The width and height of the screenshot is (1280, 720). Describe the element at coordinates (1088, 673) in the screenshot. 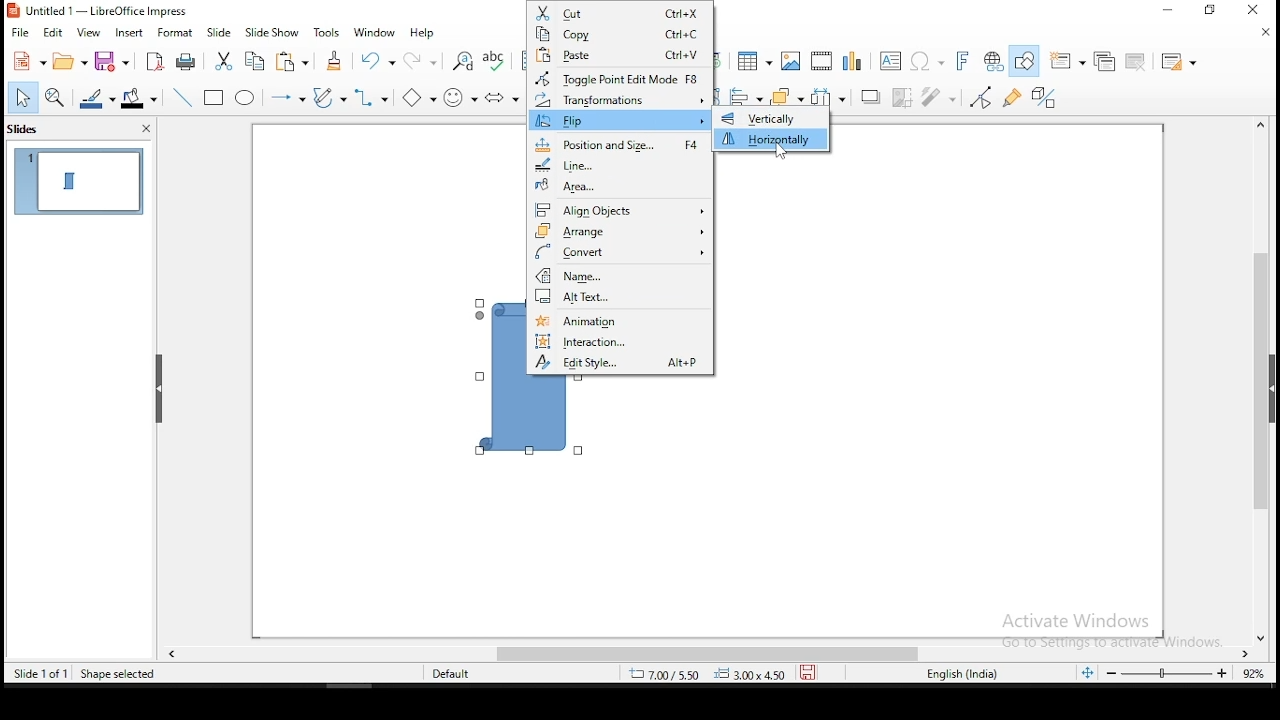

I see `fit slide to current window` at that location.